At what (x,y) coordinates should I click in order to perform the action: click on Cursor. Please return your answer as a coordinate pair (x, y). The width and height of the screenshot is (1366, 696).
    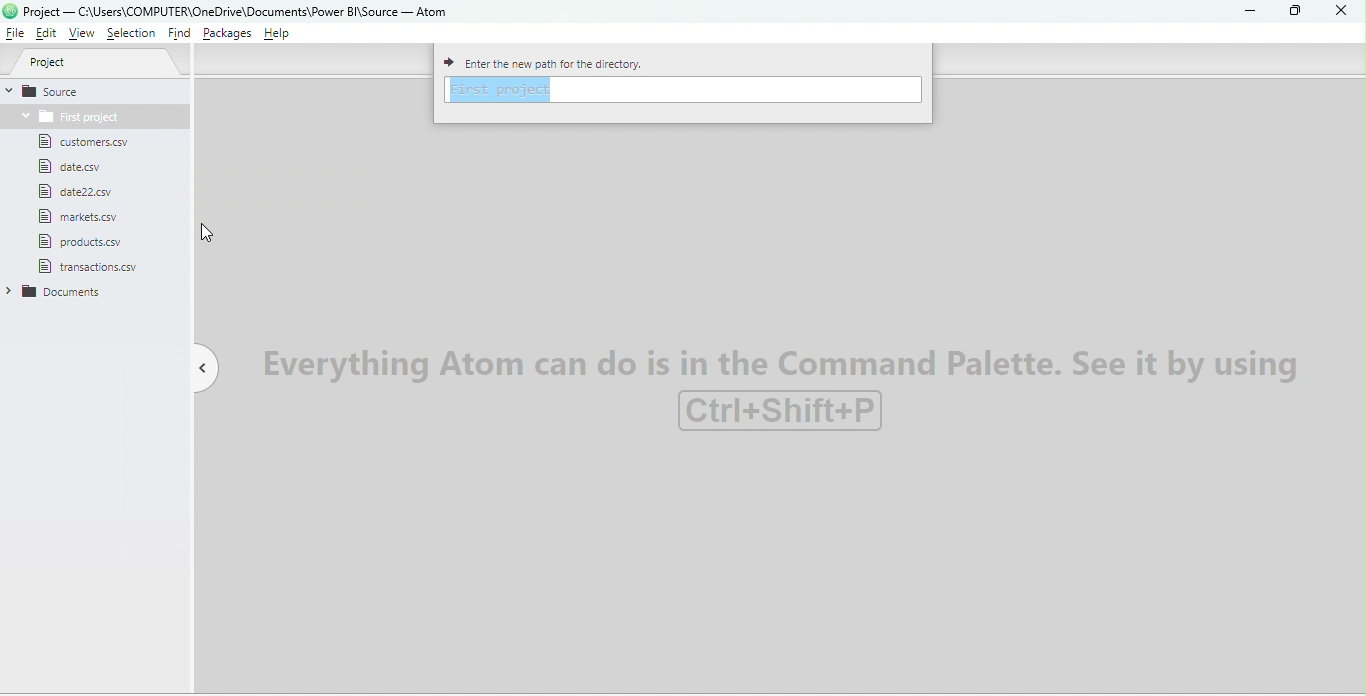
    Looking at the image, I should click on (208, 231).